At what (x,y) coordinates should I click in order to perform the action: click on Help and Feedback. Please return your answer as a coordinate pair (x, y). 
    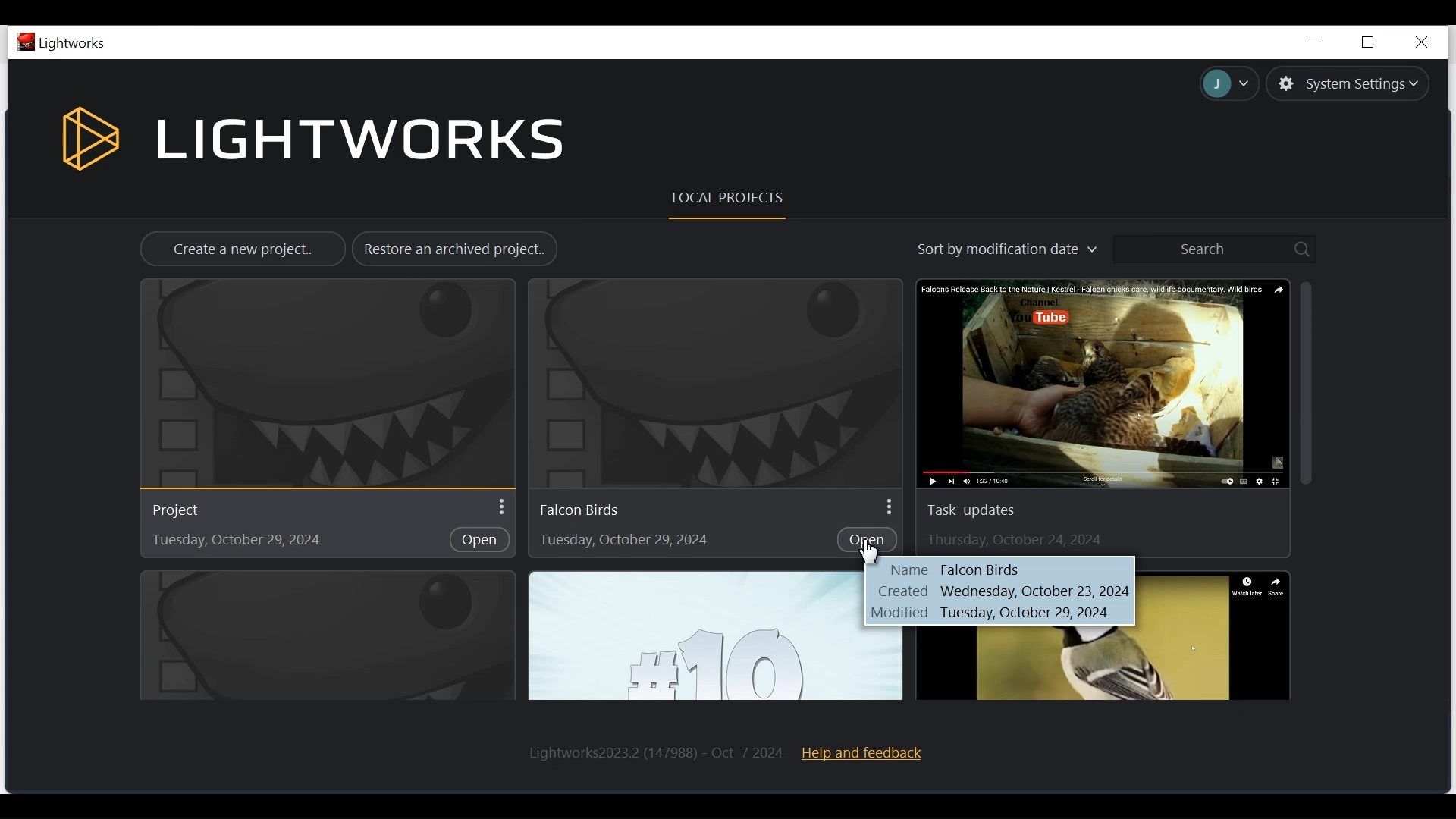
    Looking at the image, I should click on (870, 751).